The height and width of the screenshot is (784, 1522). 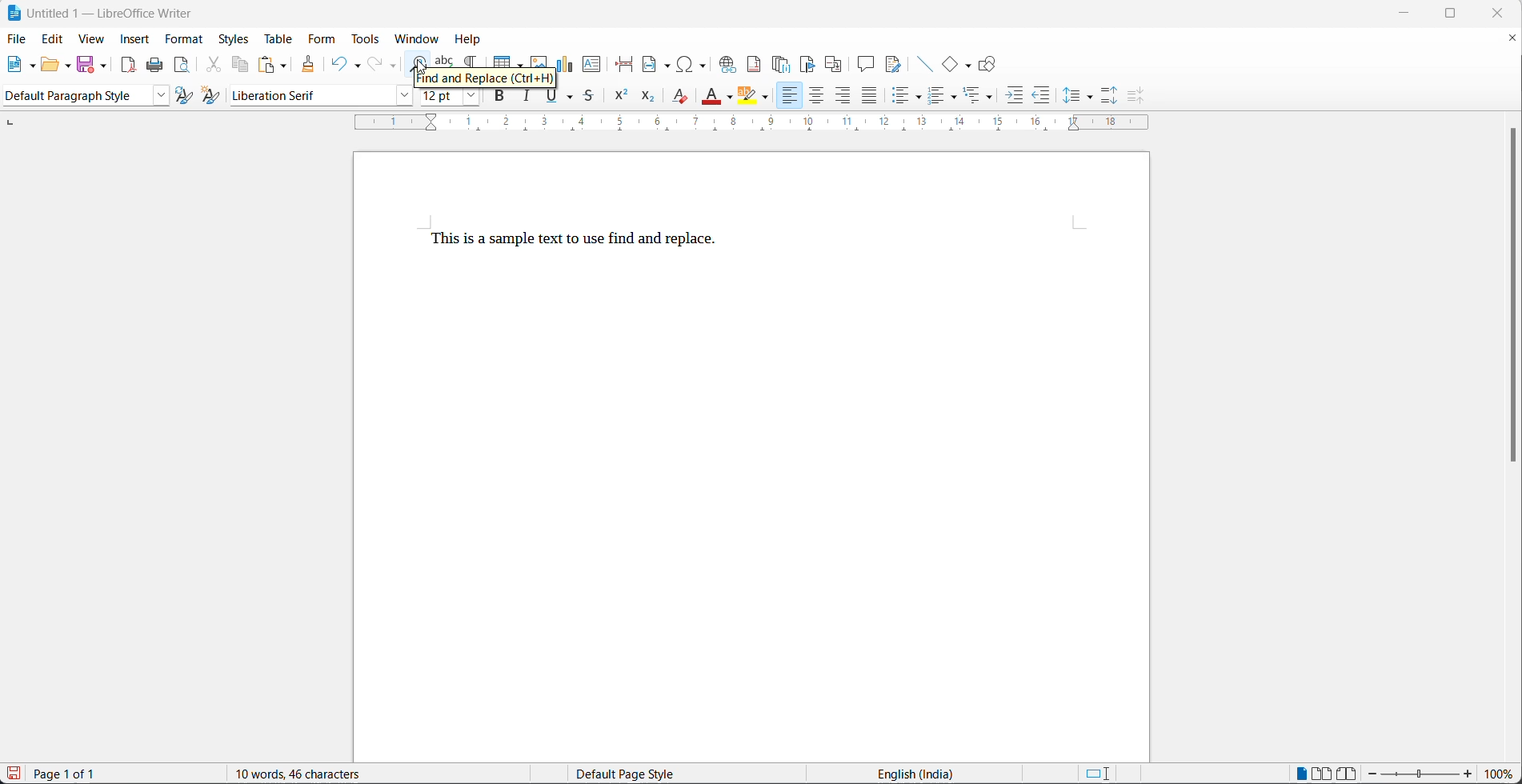 I want to click on basic shapes, so click(x=951, y=64).